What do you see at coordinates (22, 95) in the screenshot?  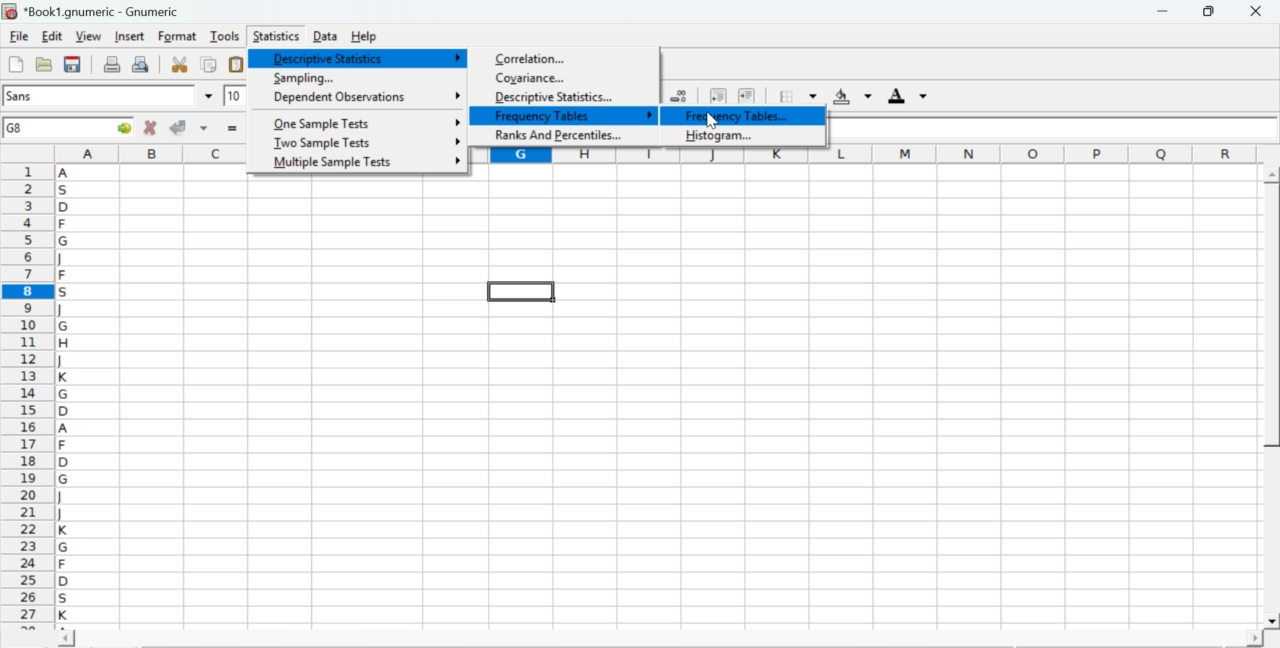 I see `font` at bounding box center [22, 95].